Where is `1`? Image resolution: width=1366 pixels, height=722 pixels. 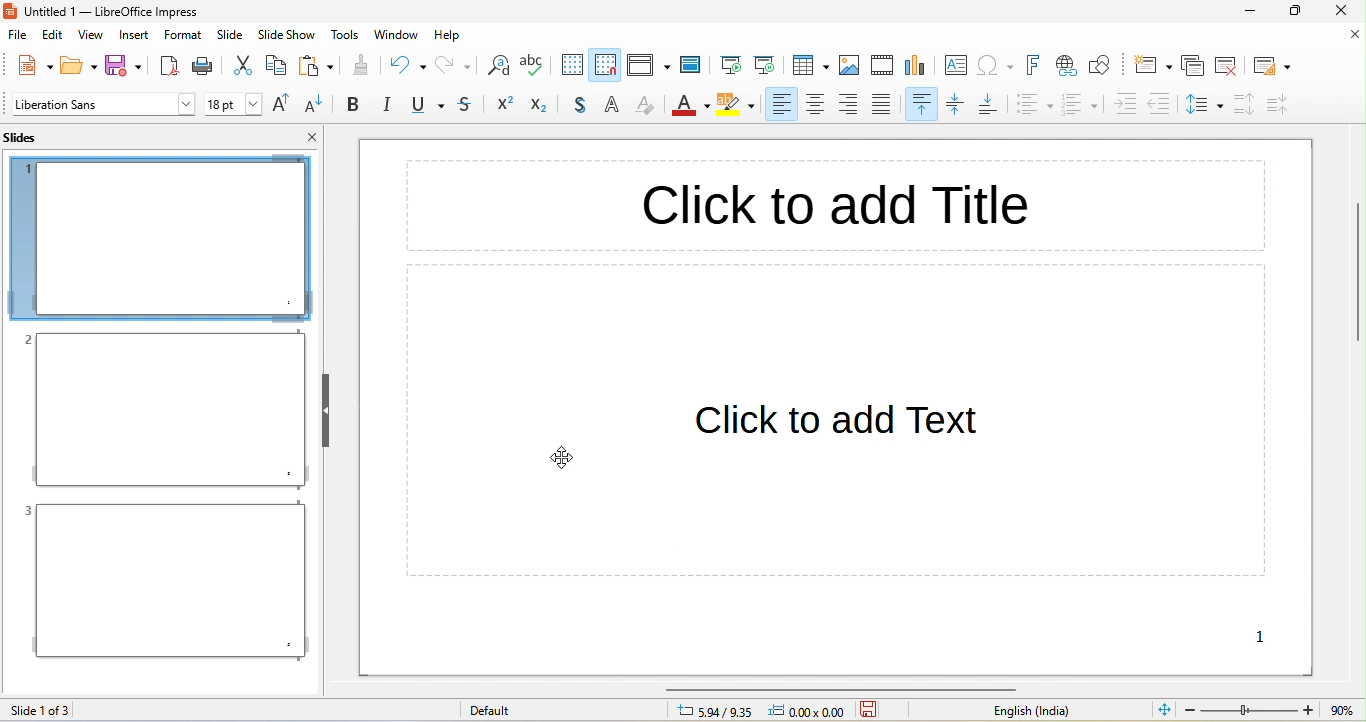 1 is located at coordinates (1263, 638).